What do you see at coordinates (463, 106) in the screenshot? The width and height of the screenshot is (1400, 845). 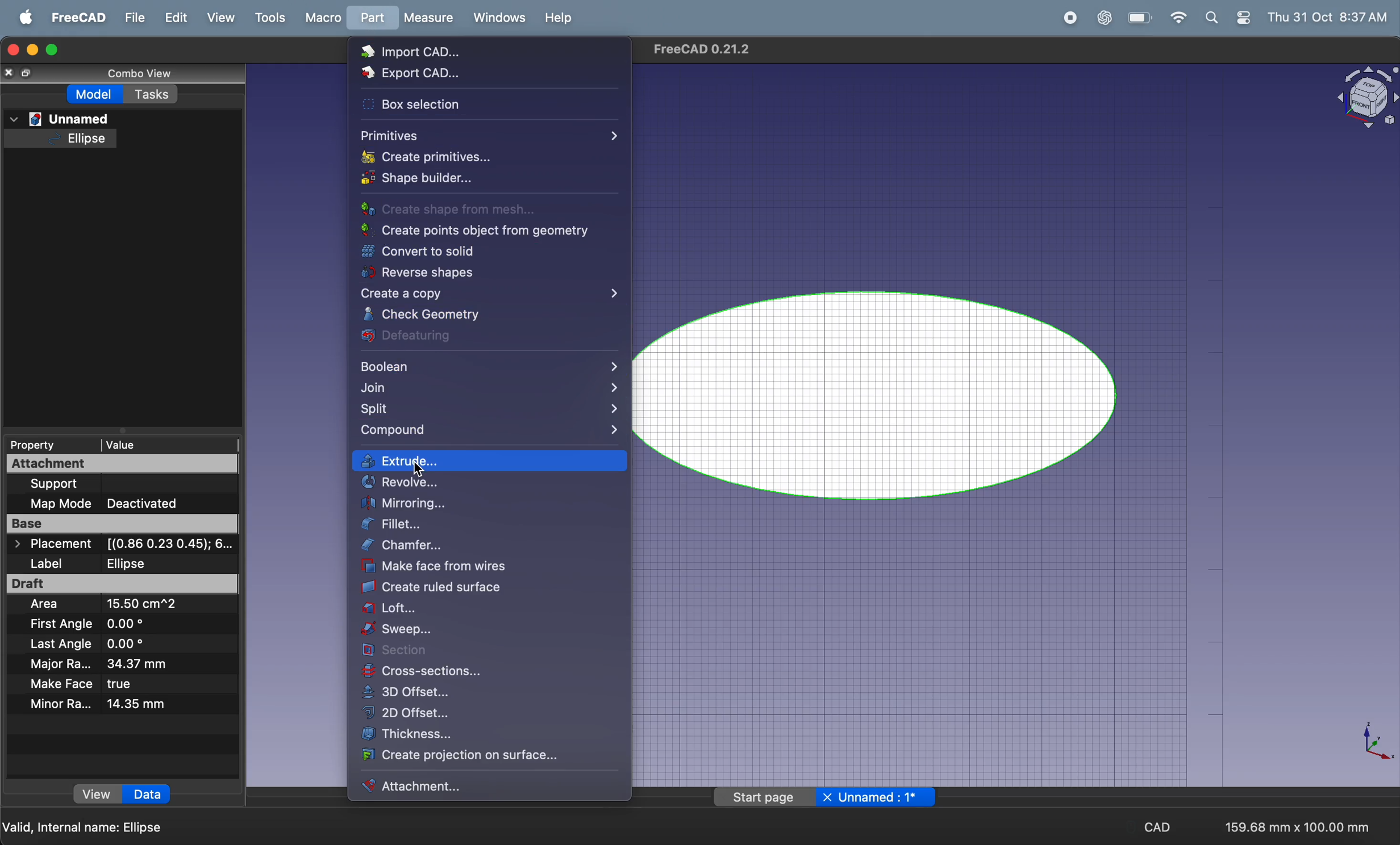 I see `Box section` at bounding box center [463, 106].